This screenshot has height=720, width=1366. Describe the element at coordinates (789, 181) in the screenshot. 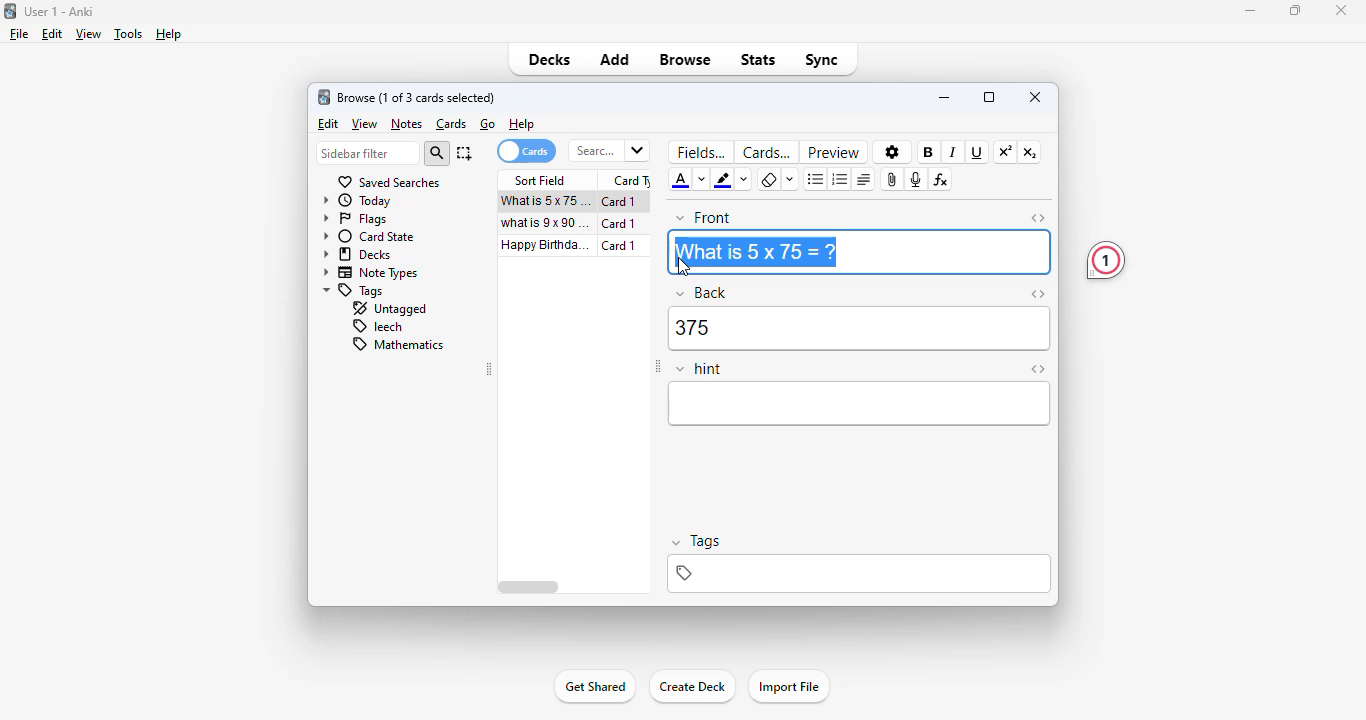

I see `select formatting to remove` at that location.